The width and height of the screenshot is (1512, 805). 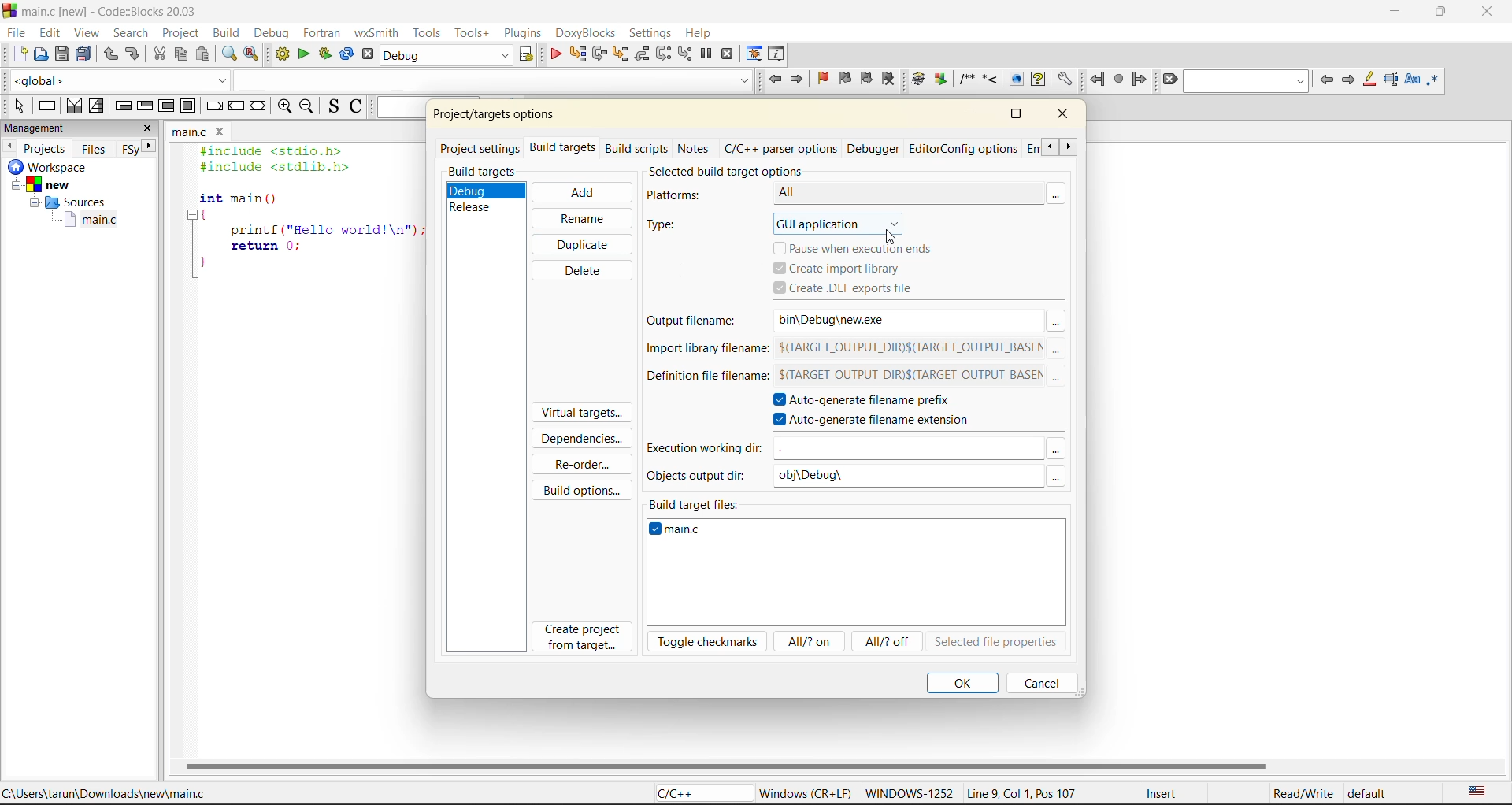 What do you see at coordinates (587, 441) in the screenshot?
I see `dependencies` at bounding box center [587, 441].